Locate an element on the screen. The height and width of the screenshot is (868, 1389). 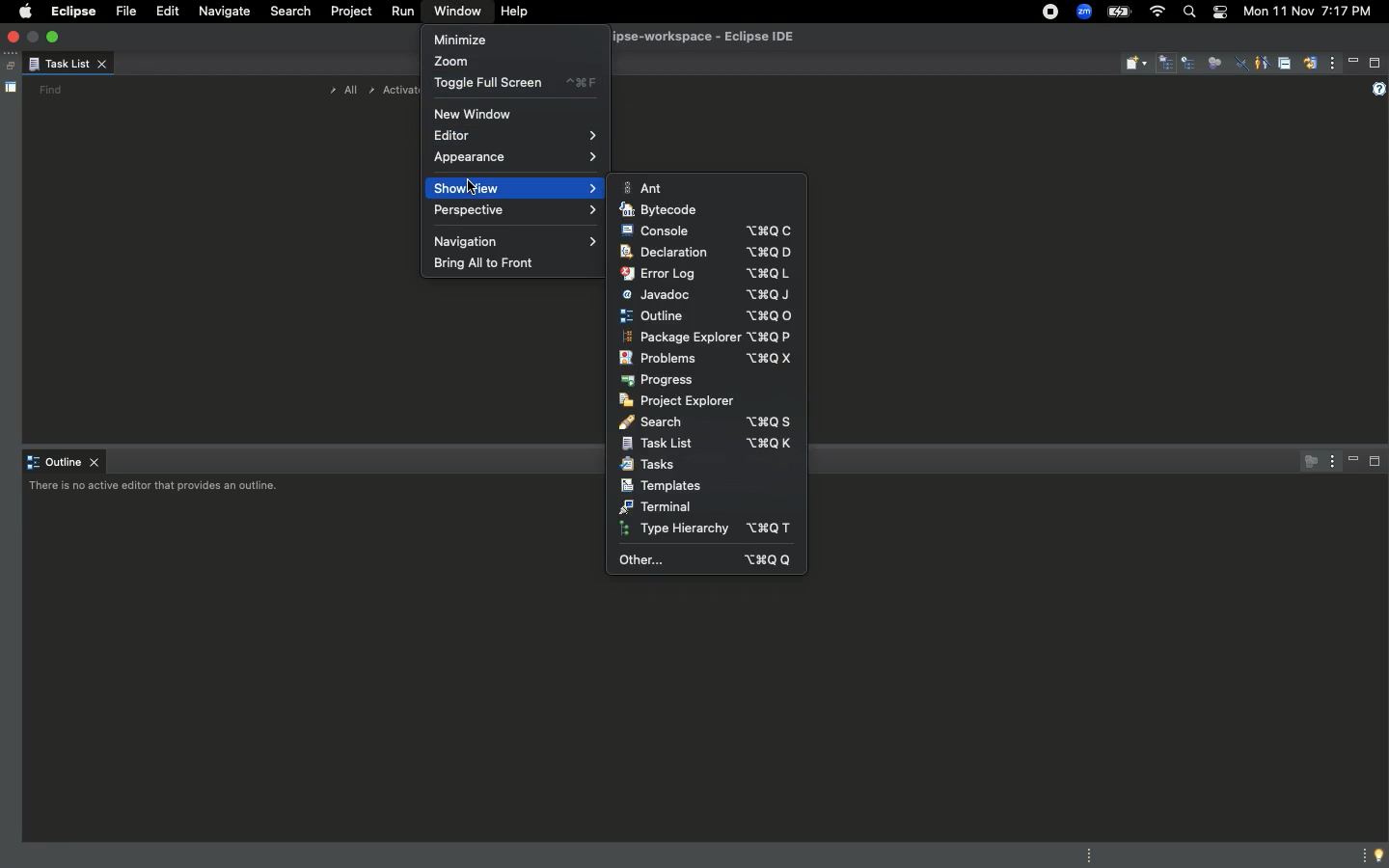
All is located at coordinates (340, 91).